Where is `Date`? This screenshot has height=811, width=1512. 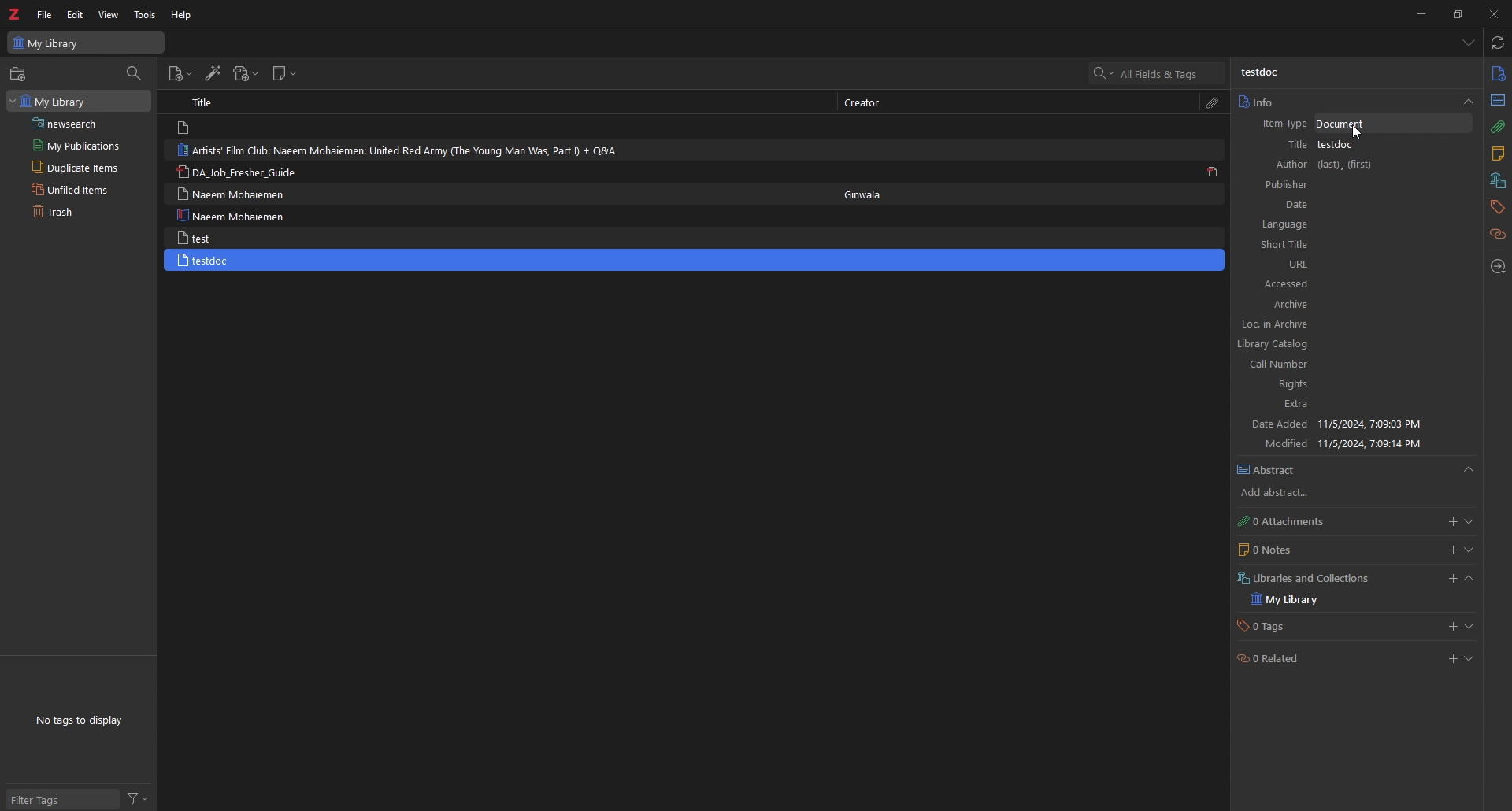 Date is located at coordinates (1357, 205).